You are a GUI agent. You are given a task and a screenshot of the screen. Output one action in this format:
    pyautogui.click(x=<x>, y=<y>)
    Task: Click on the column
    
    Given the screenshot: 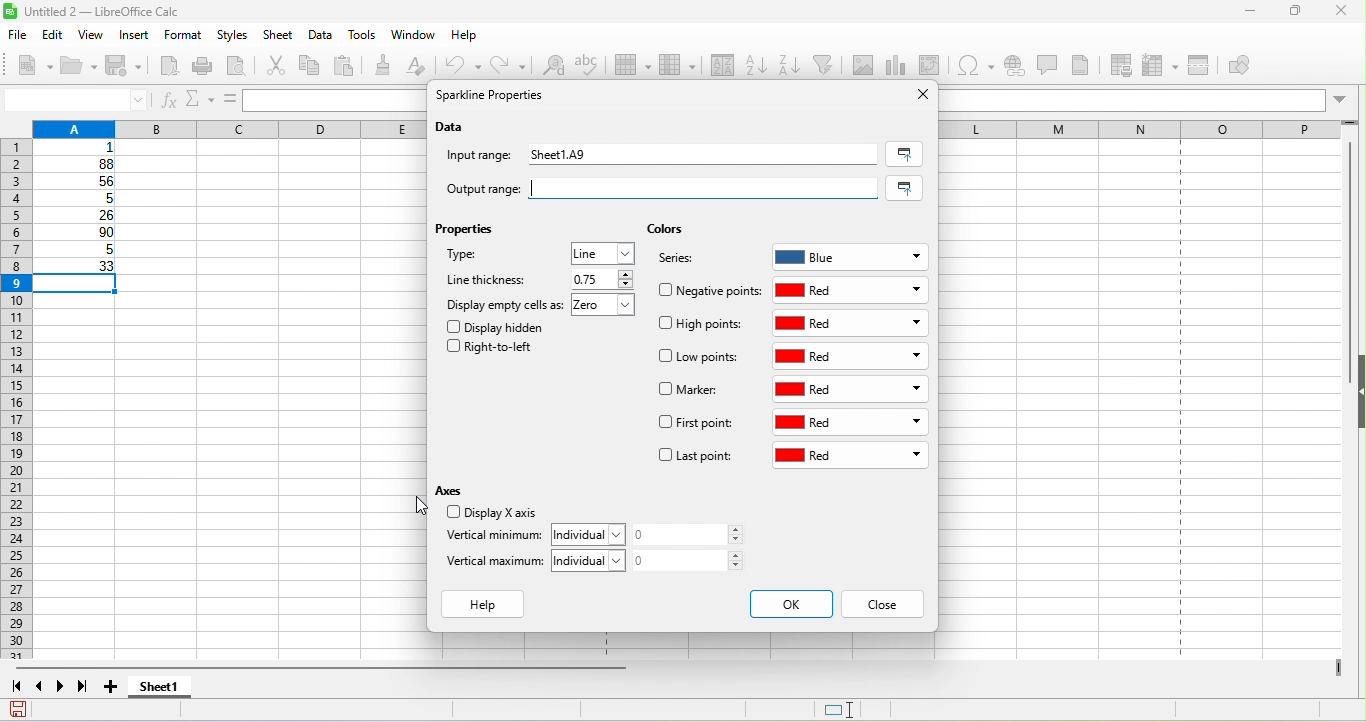 What is the action you would take?
    pyautogui.click(x=225, y=127)
    